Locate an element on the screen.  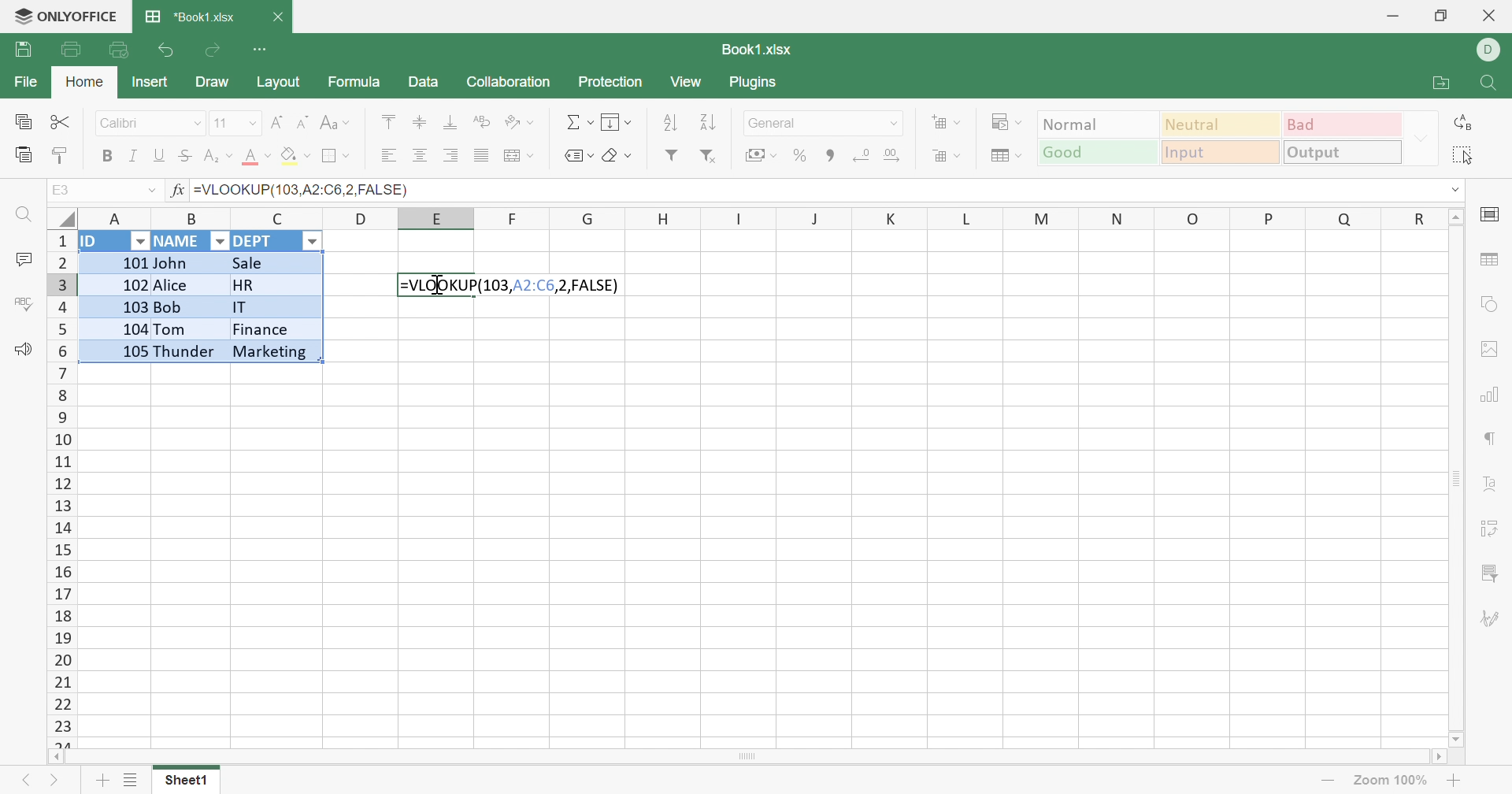
Close is located at coordinates (1492, 16).